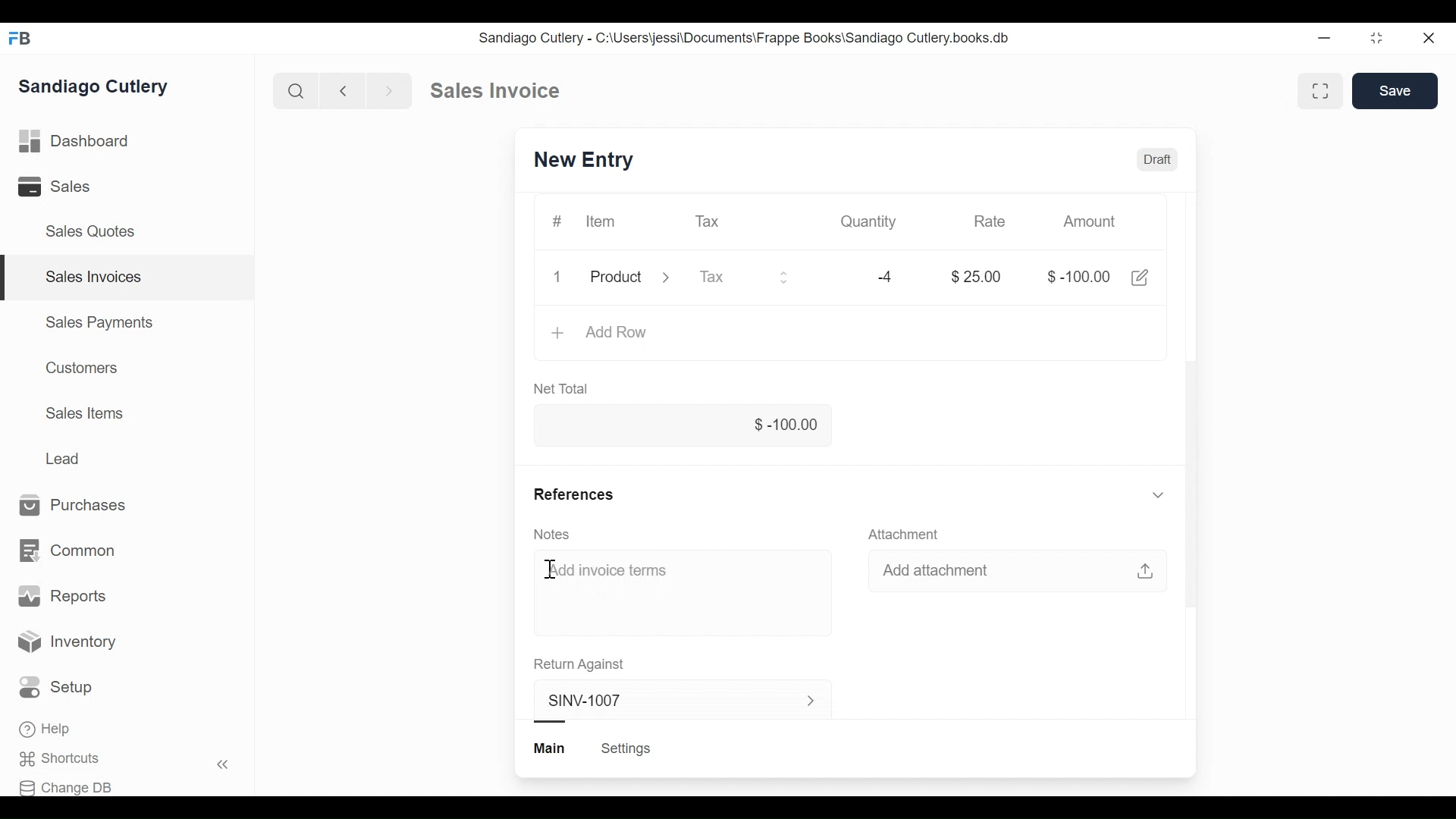 Image resolution: width=1456 pixels, height=819 pixels. Describe the element at coordinates (1377, 39) in the screenshot. I see `Toggle between form and full width` at that location.